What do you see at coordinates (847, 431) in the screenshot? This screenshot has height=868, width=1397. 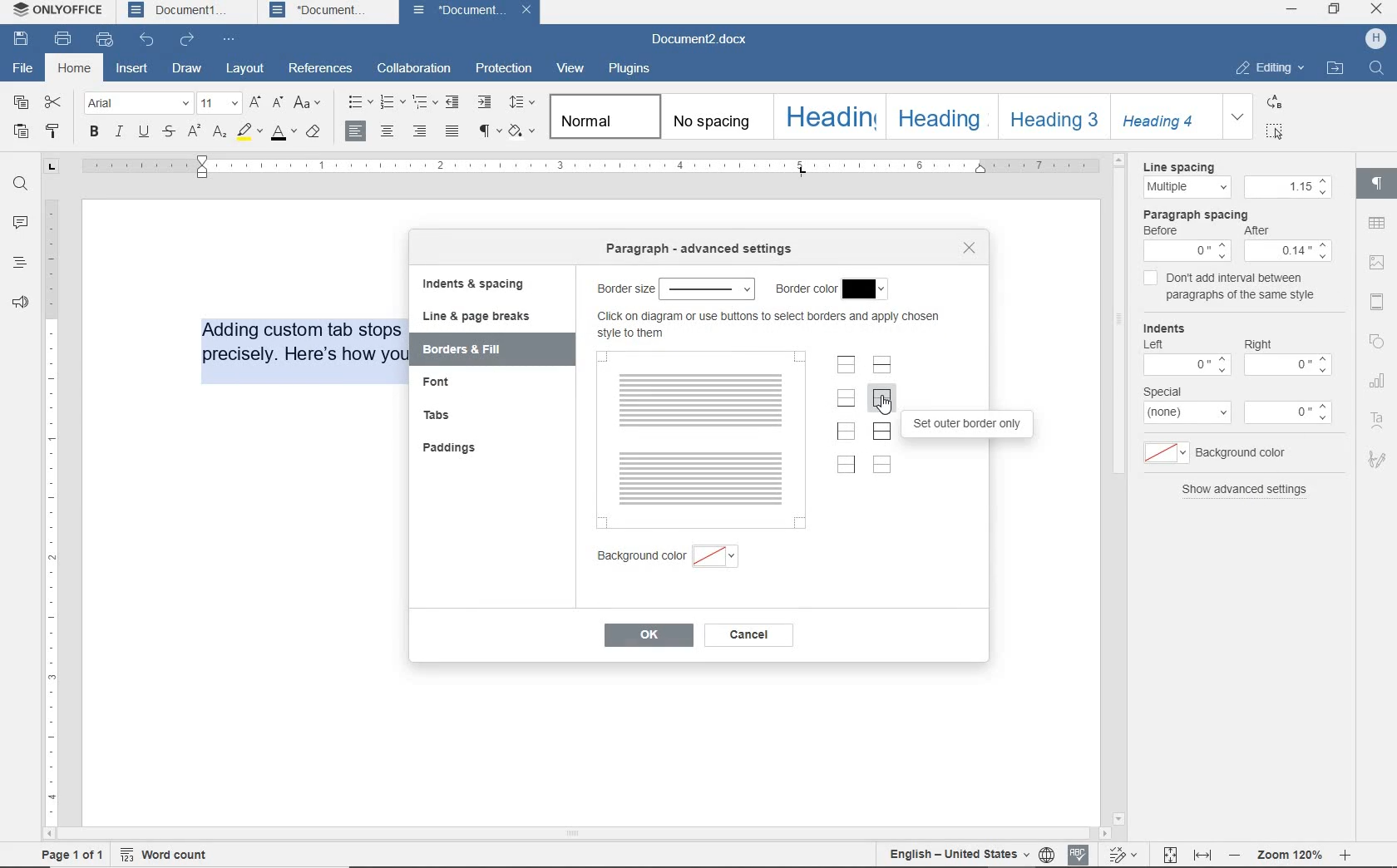 I see `set left border only` at bounding box center [847, 431].